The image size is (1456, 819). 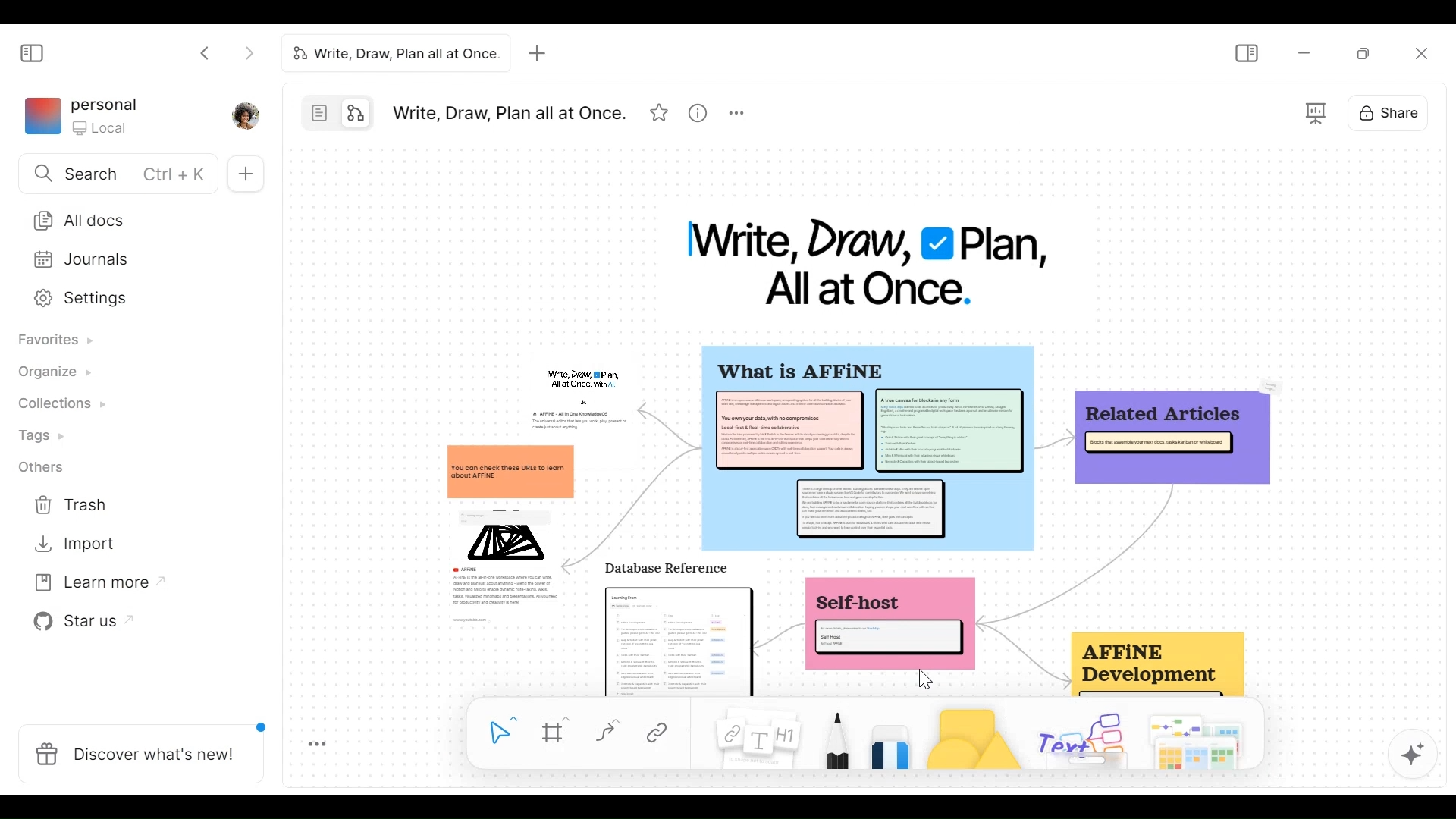 What do you see at coordinates (316, 113) in the screenshot?
I see `Page mode` at bounding box center [316, 113].